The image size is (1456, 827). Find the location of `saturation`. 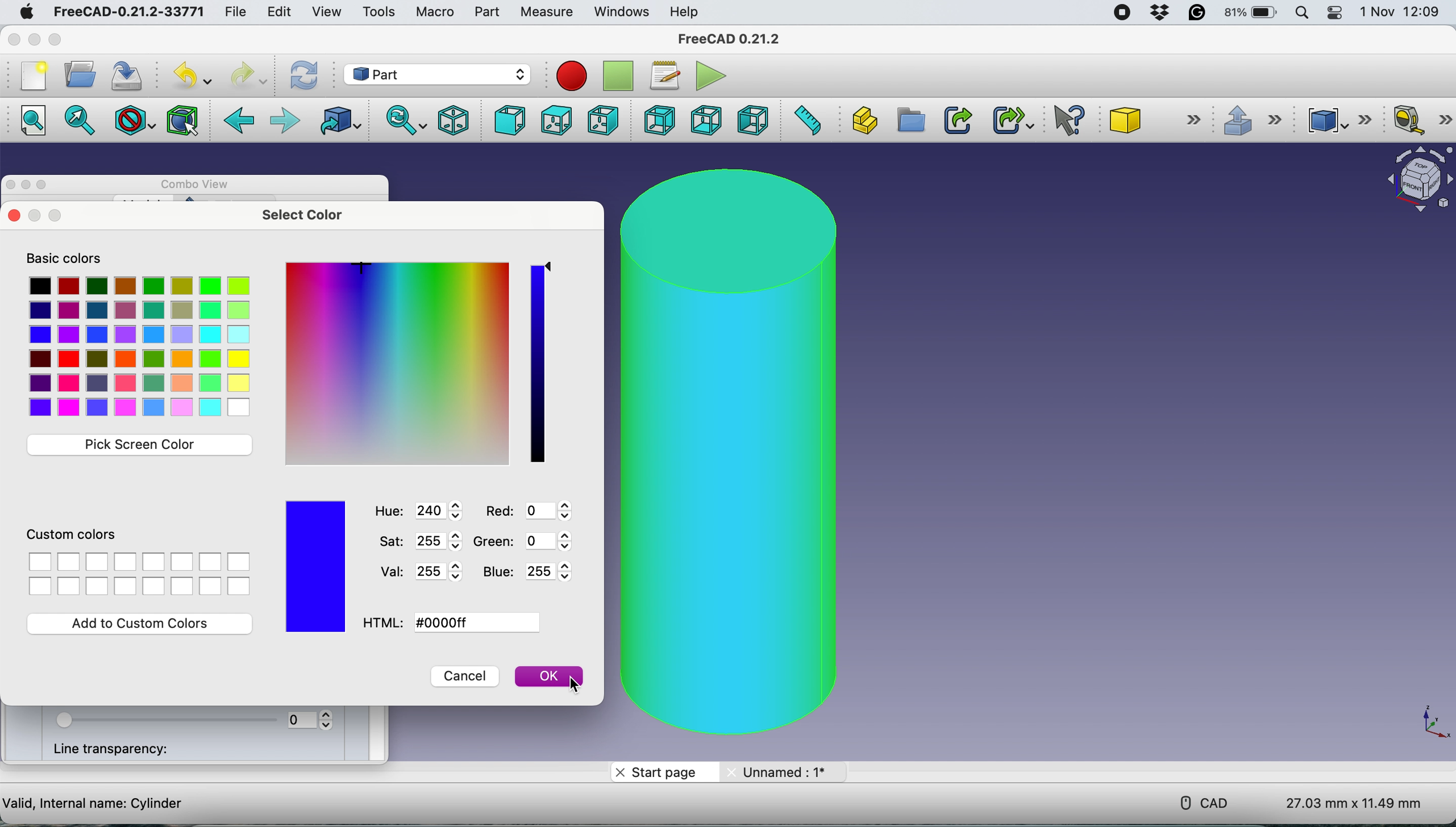

saturation is located at coordinates (416, 540).